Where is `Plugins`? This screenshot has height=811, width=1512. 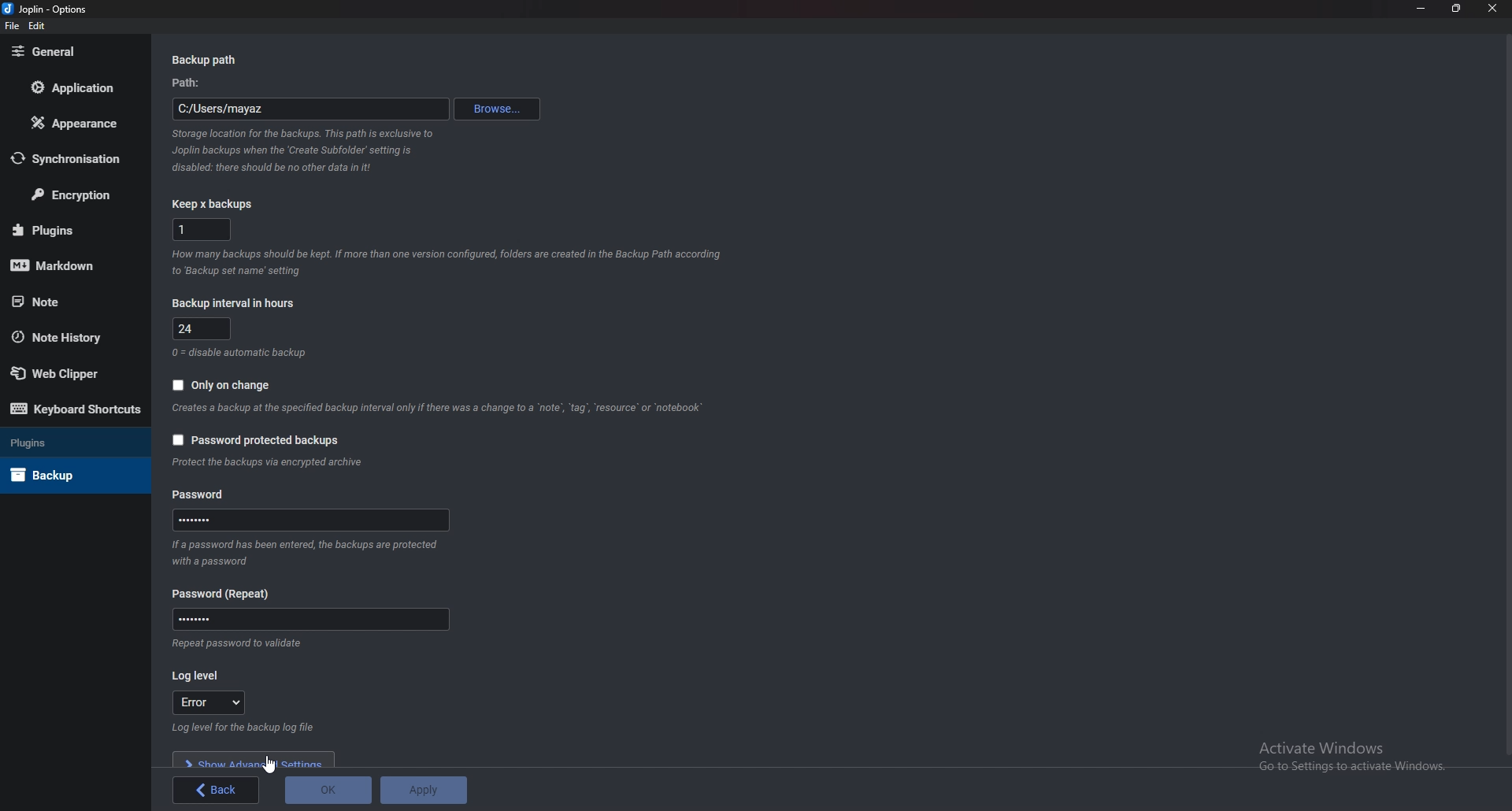
Plugins is located at coordinates (71, 229).